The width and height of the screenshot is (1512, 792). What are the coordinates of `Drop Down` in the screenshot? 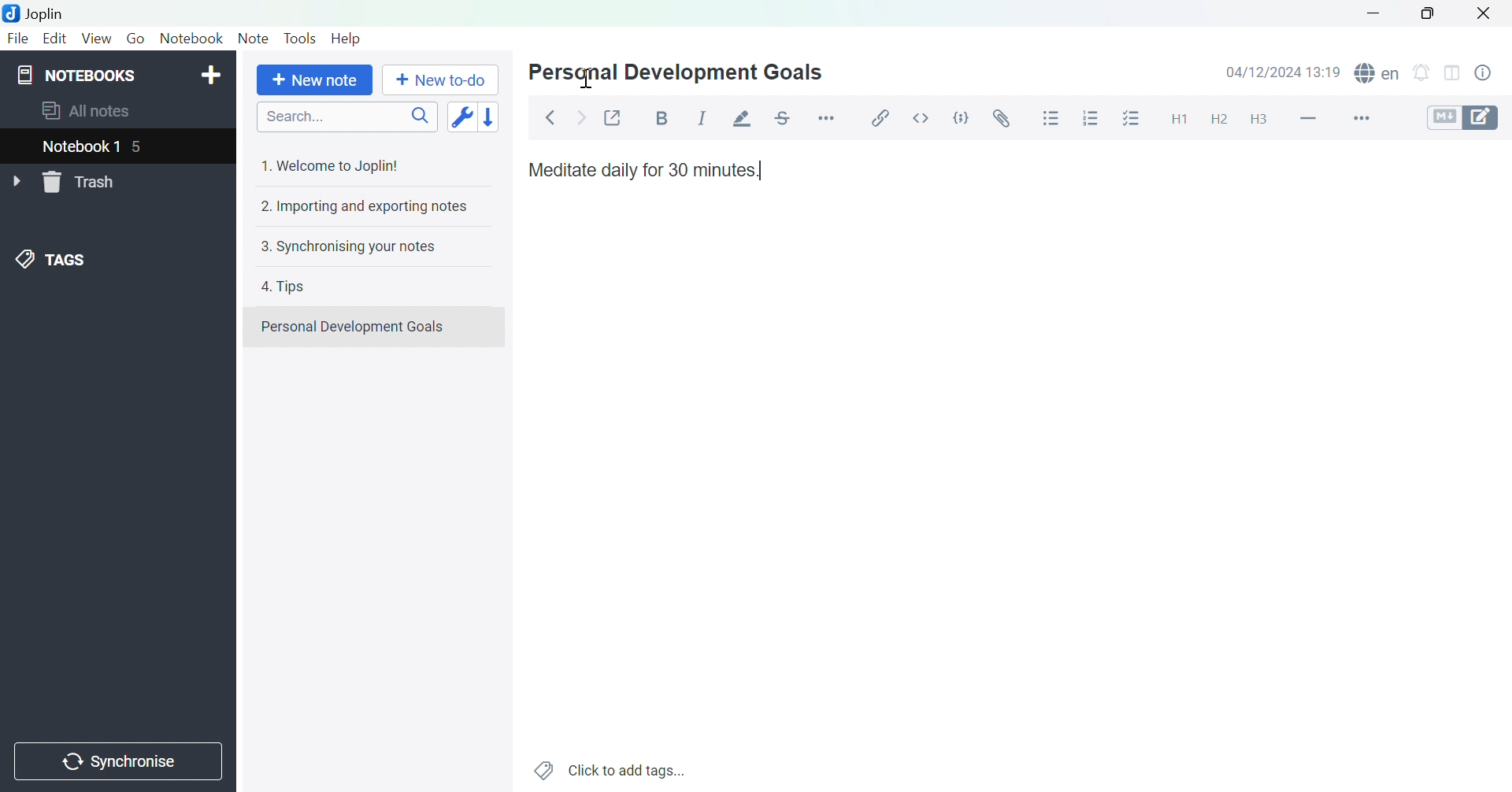 It's located at (16, 179).